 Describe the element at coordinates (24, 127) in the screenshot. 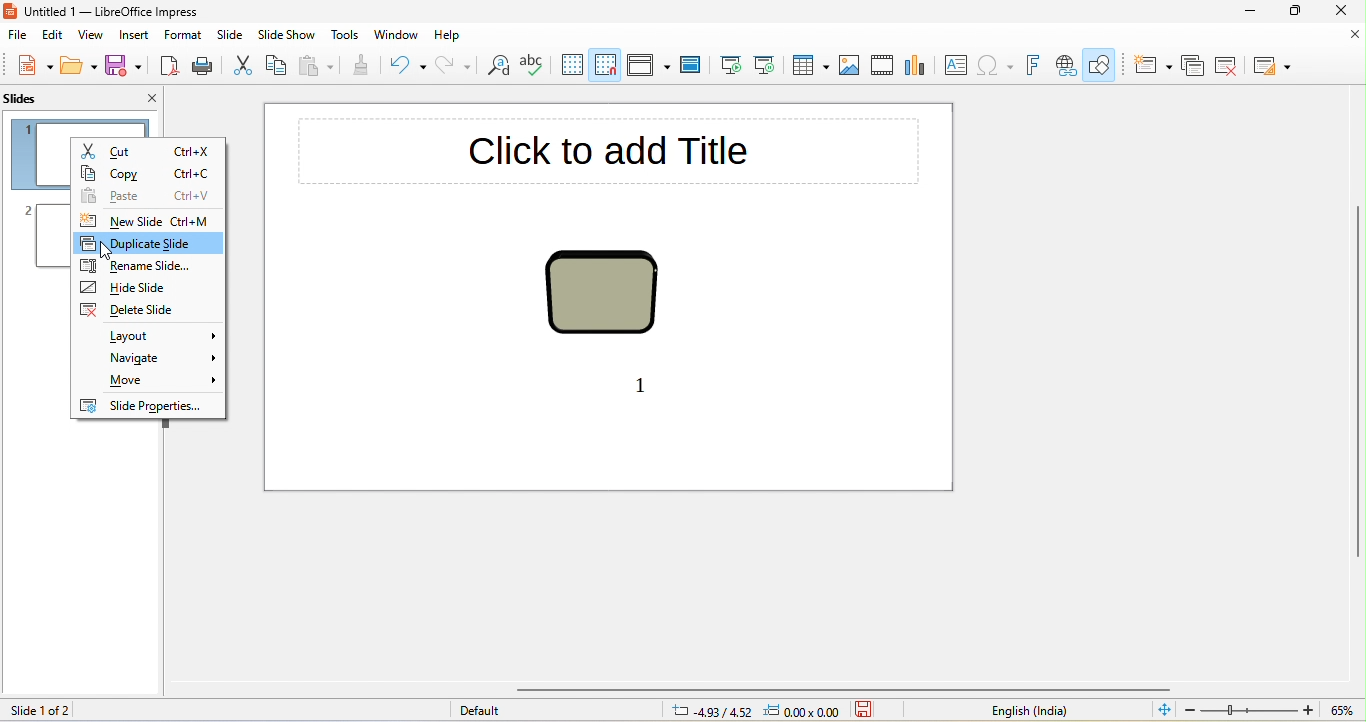

I see `1` at that location.